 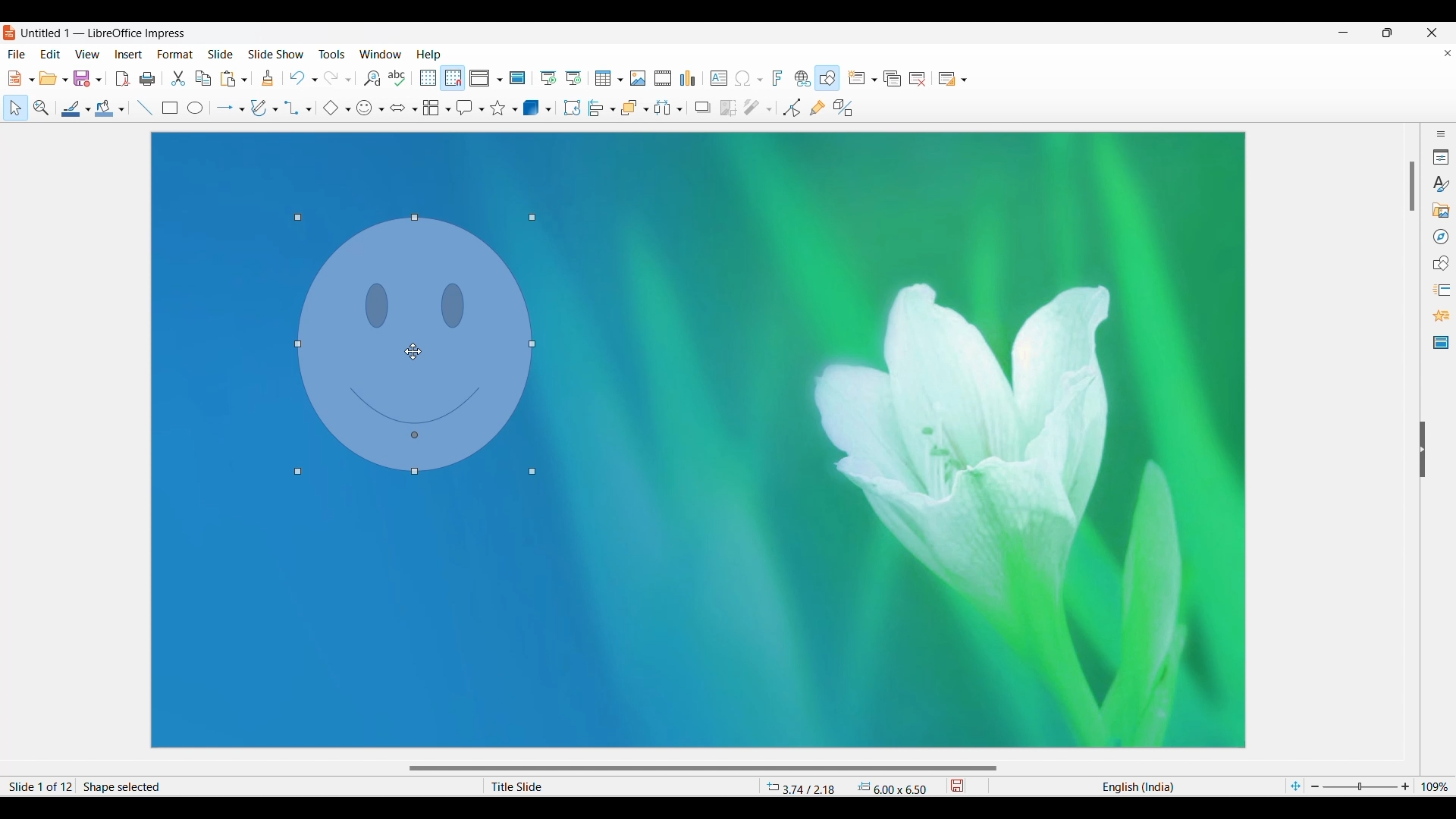 What do you see at coordinates (1360, 786) in the screenshot?
I see `Slider to zoom in/out` at bounding box center [1360, 786].